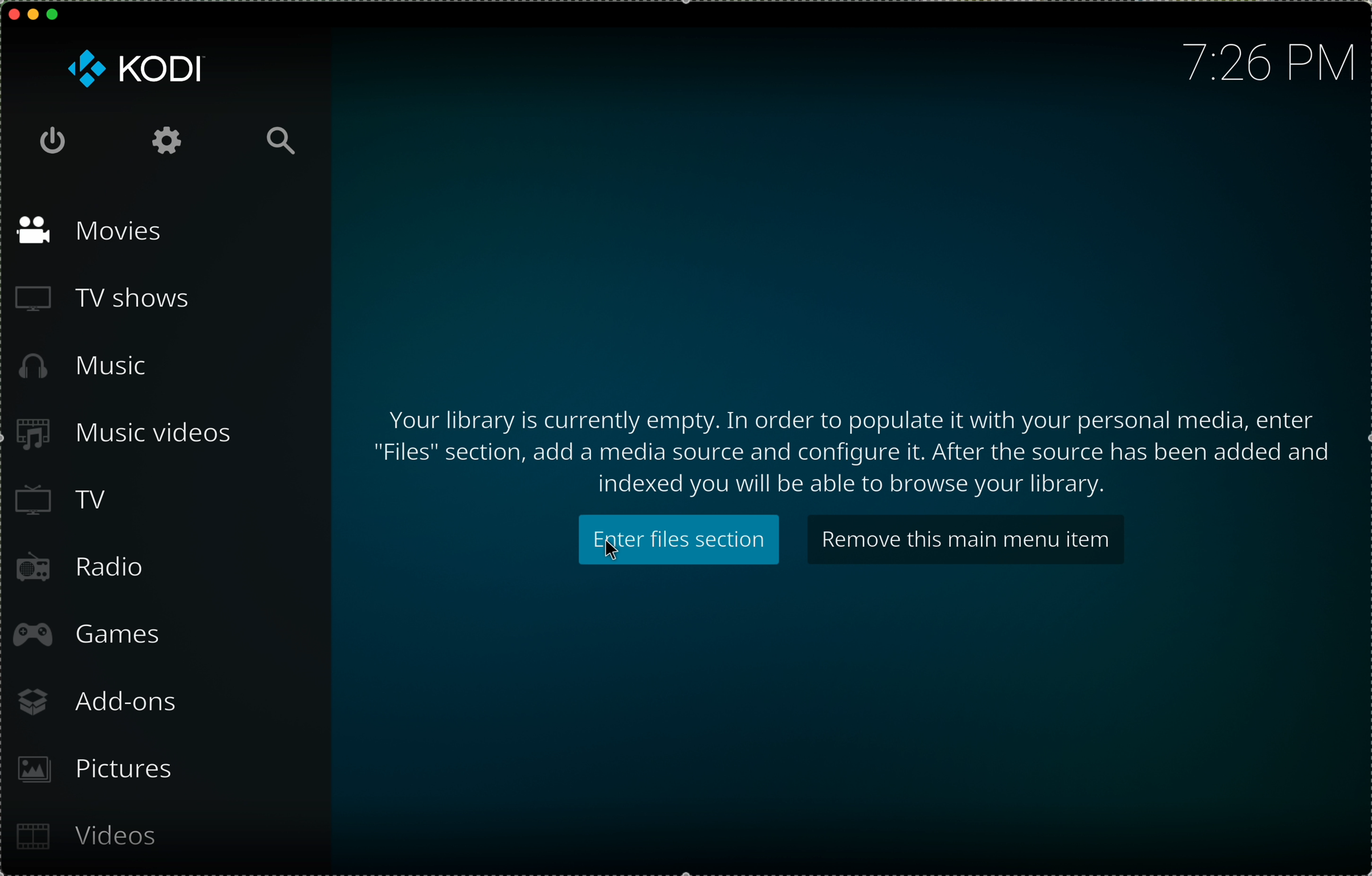 The width and height of the screenshot is (1372, 876). What do you see at coordinates (50, 139) in the screenshot?
I see `shut down` at bounding box center [50, 139].